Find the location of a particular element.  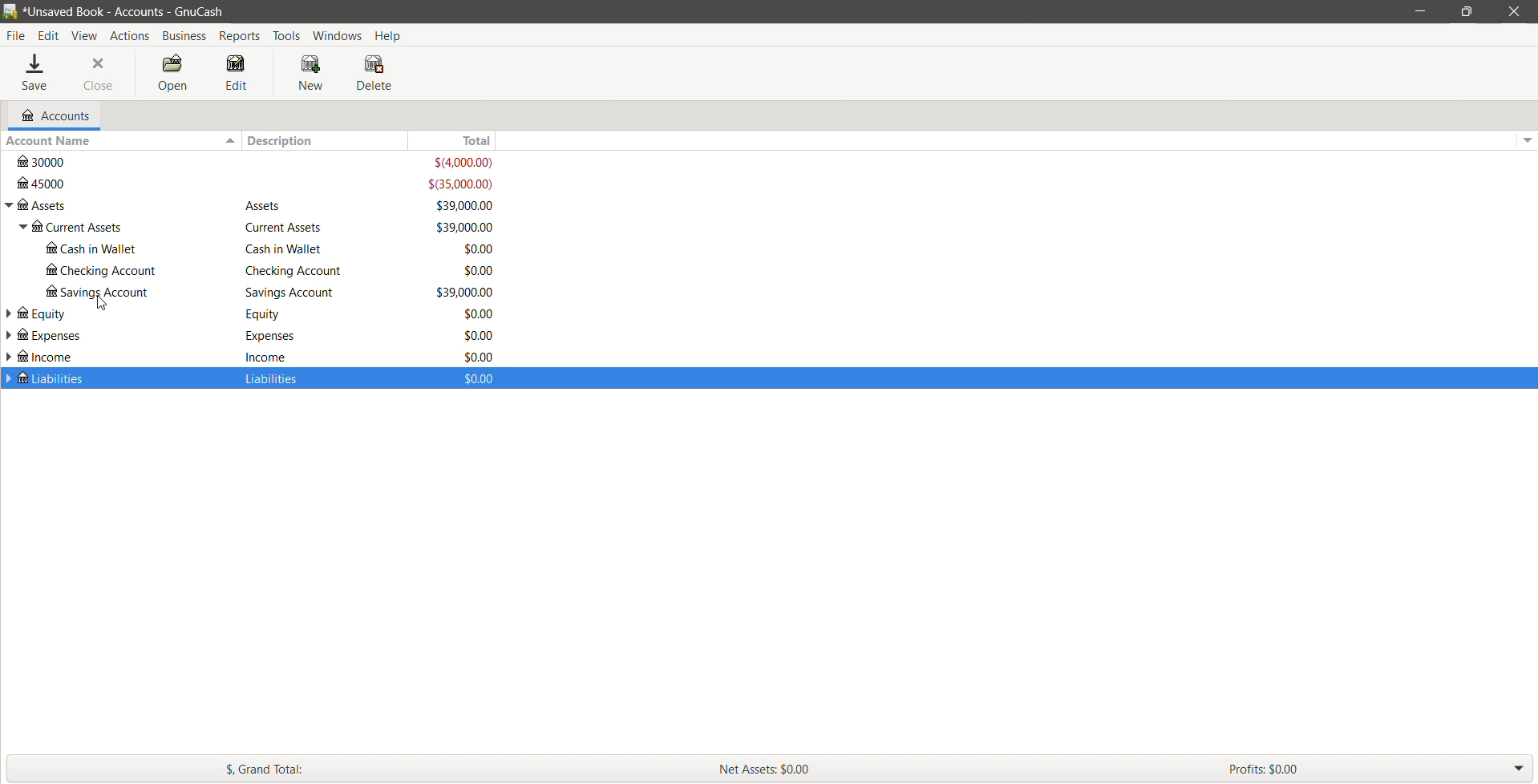

Restore Down is located at coordinates (1467, 11).